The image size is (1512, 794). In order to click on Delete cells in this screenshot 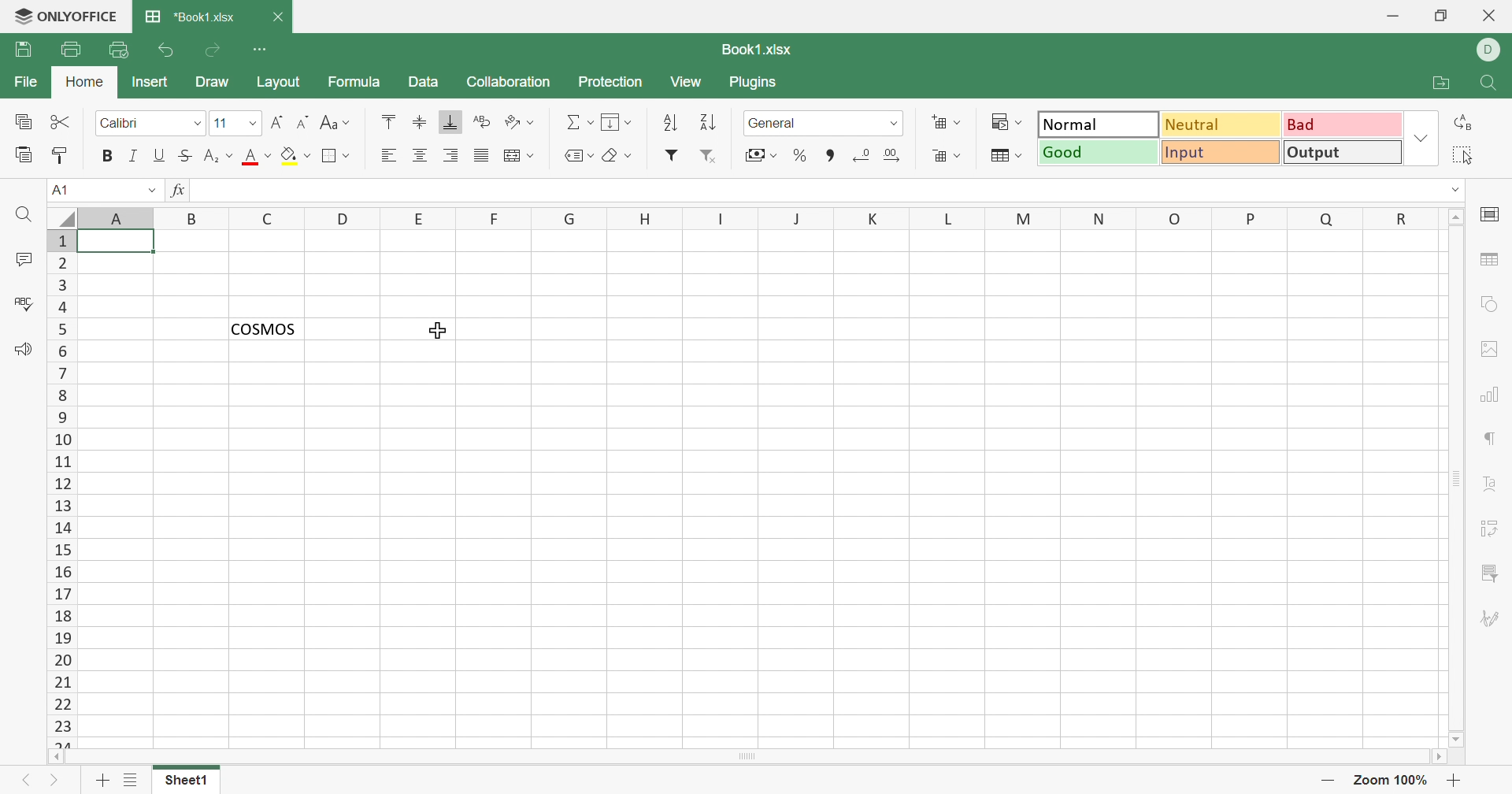, I will do `click(947, 155)`.